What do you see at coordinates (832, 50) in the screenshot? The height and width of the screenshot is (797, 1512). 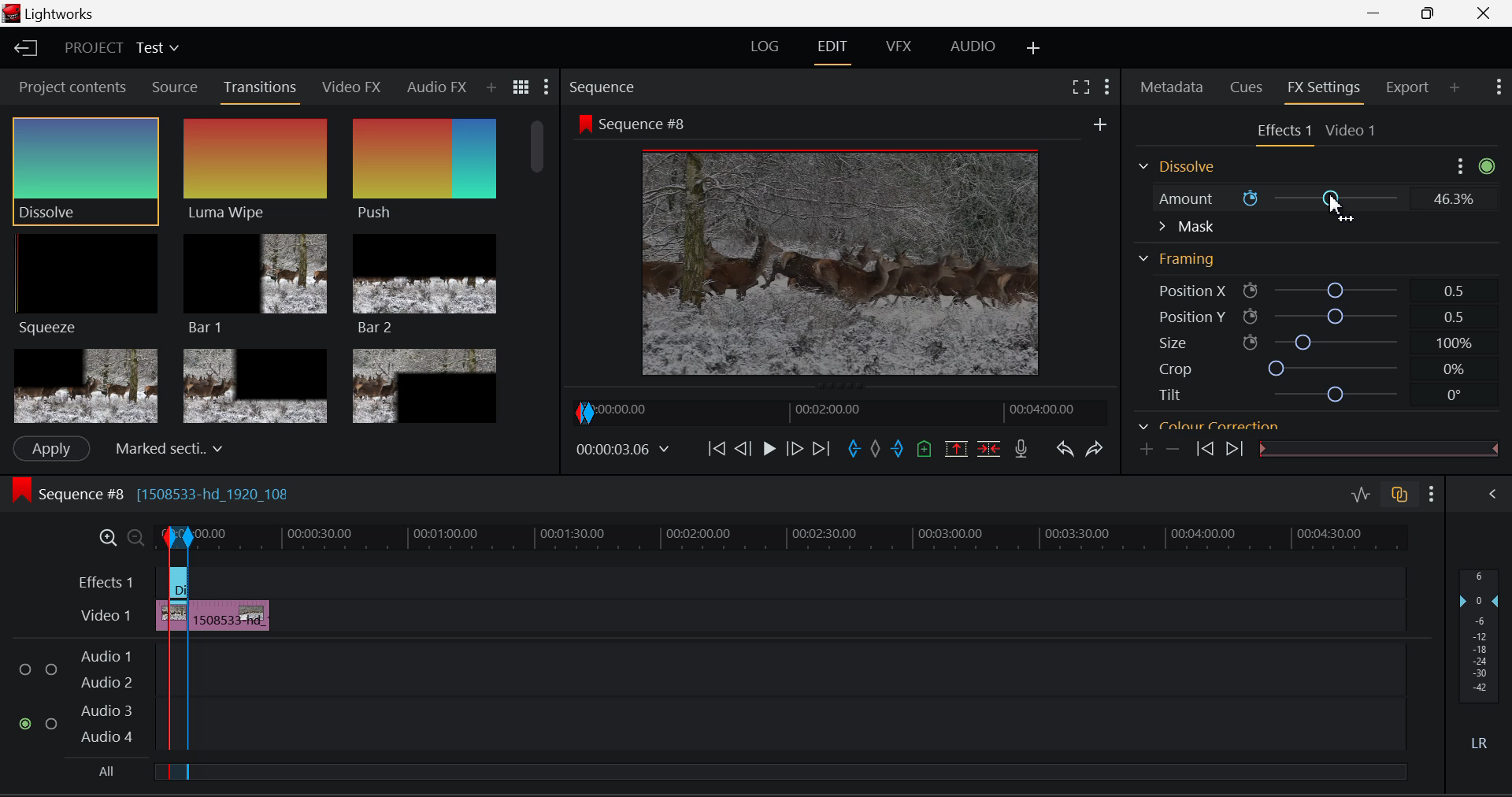 I see `EDIT Layout Open` at bounding box center [832, 50].